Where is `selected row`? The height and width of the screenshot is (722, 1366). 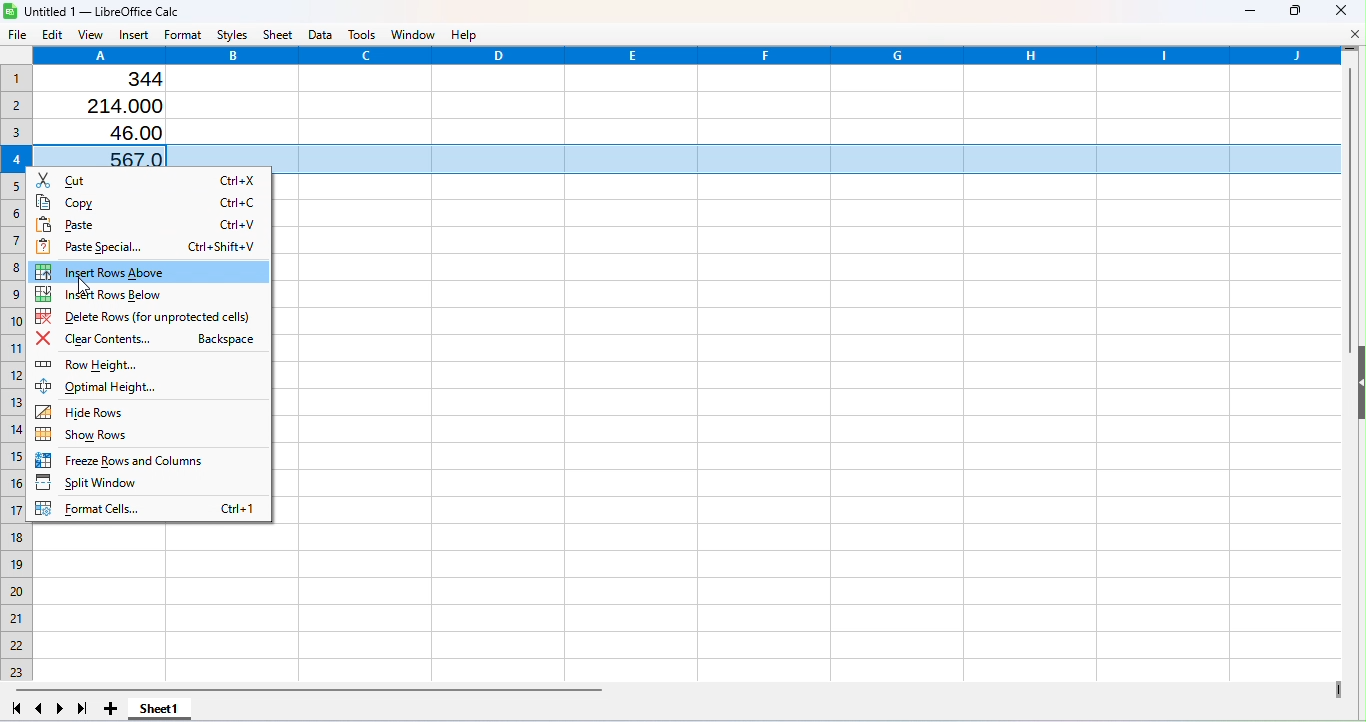
selected row is located at coordinates (806, 159).